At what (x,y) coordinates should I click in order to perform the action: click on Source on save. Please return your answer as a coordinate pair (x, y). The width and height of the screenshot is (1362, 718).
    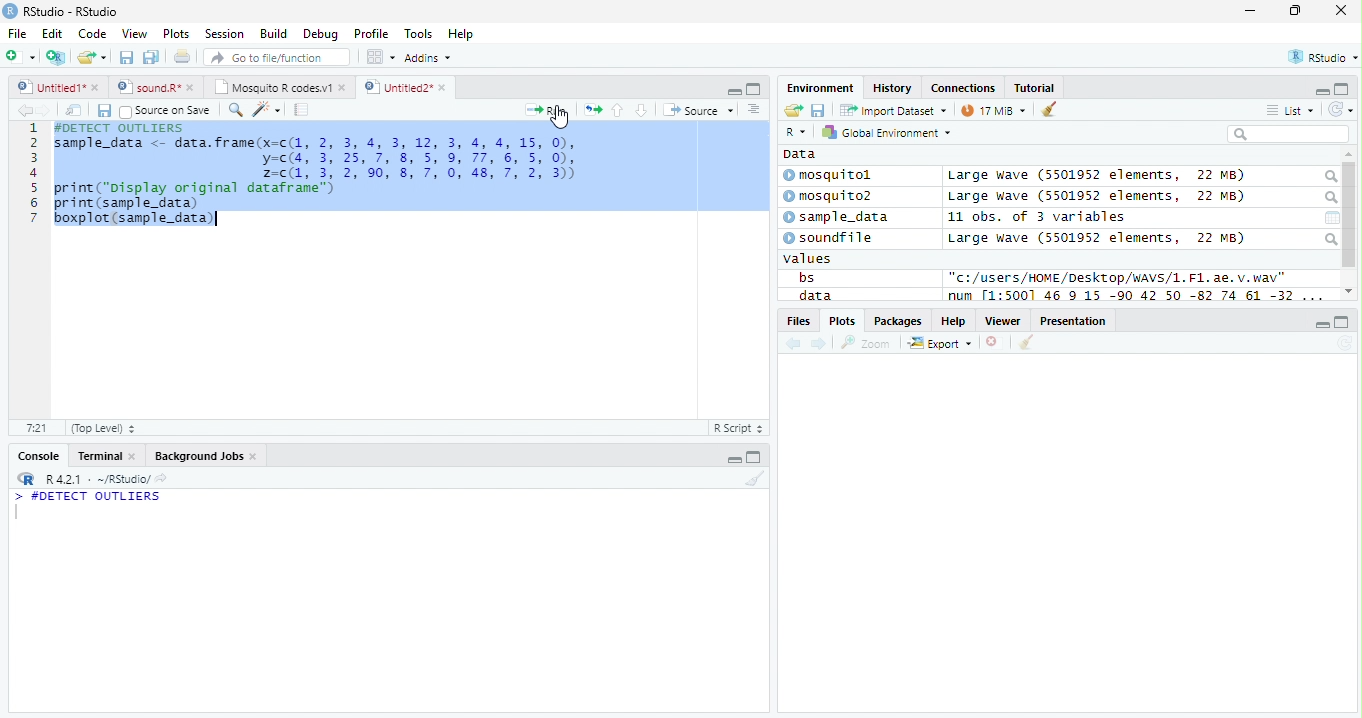
    Looking at the image, I should click on (165, 112).